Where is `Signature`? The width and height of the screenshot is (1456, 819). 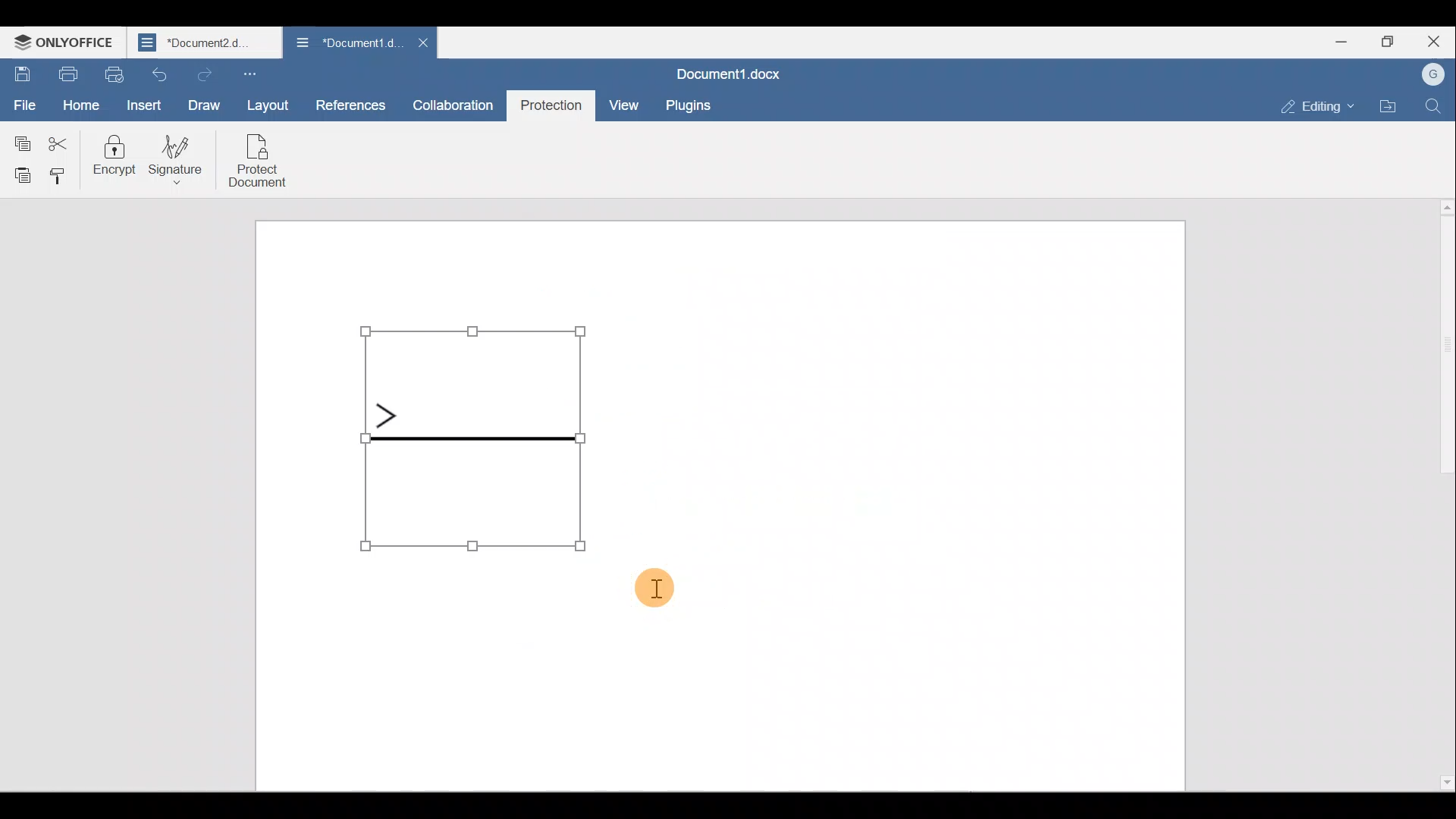
Signature is located at coordinates (185, 162).